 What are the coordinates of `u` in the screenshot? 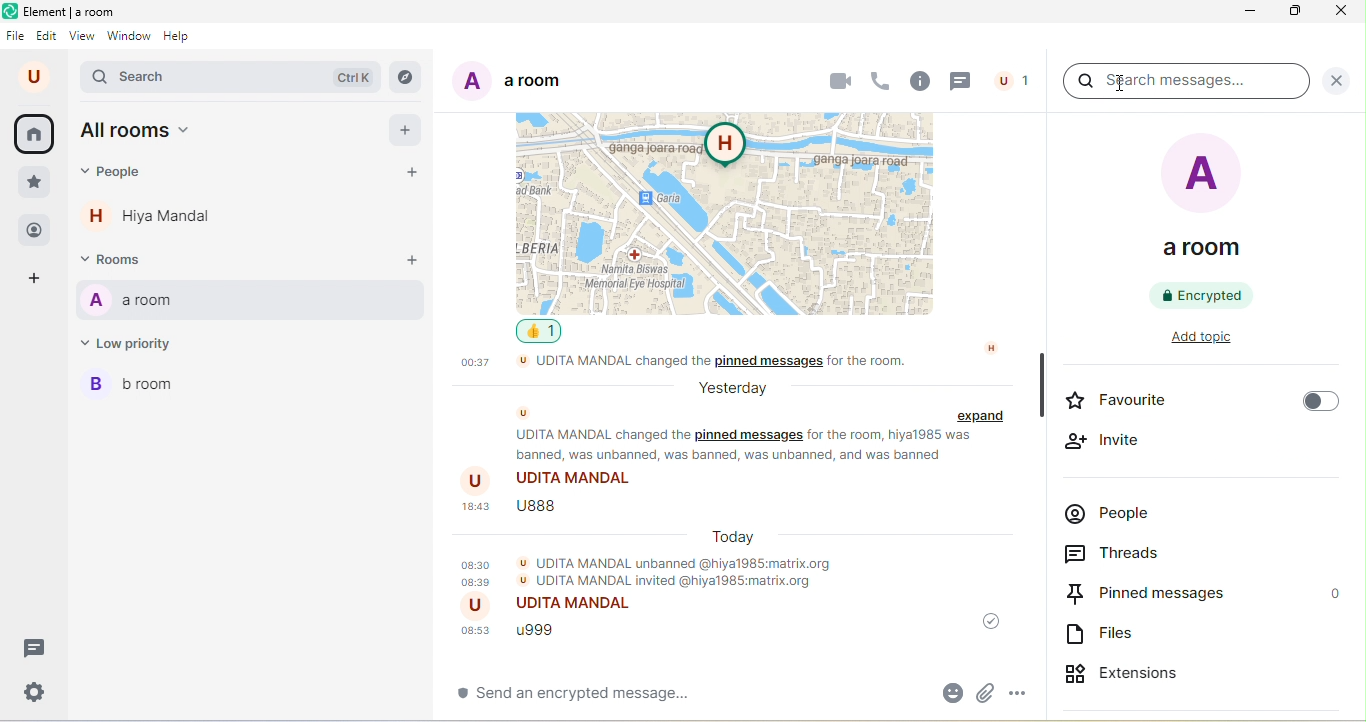 It's located at (33, 77).